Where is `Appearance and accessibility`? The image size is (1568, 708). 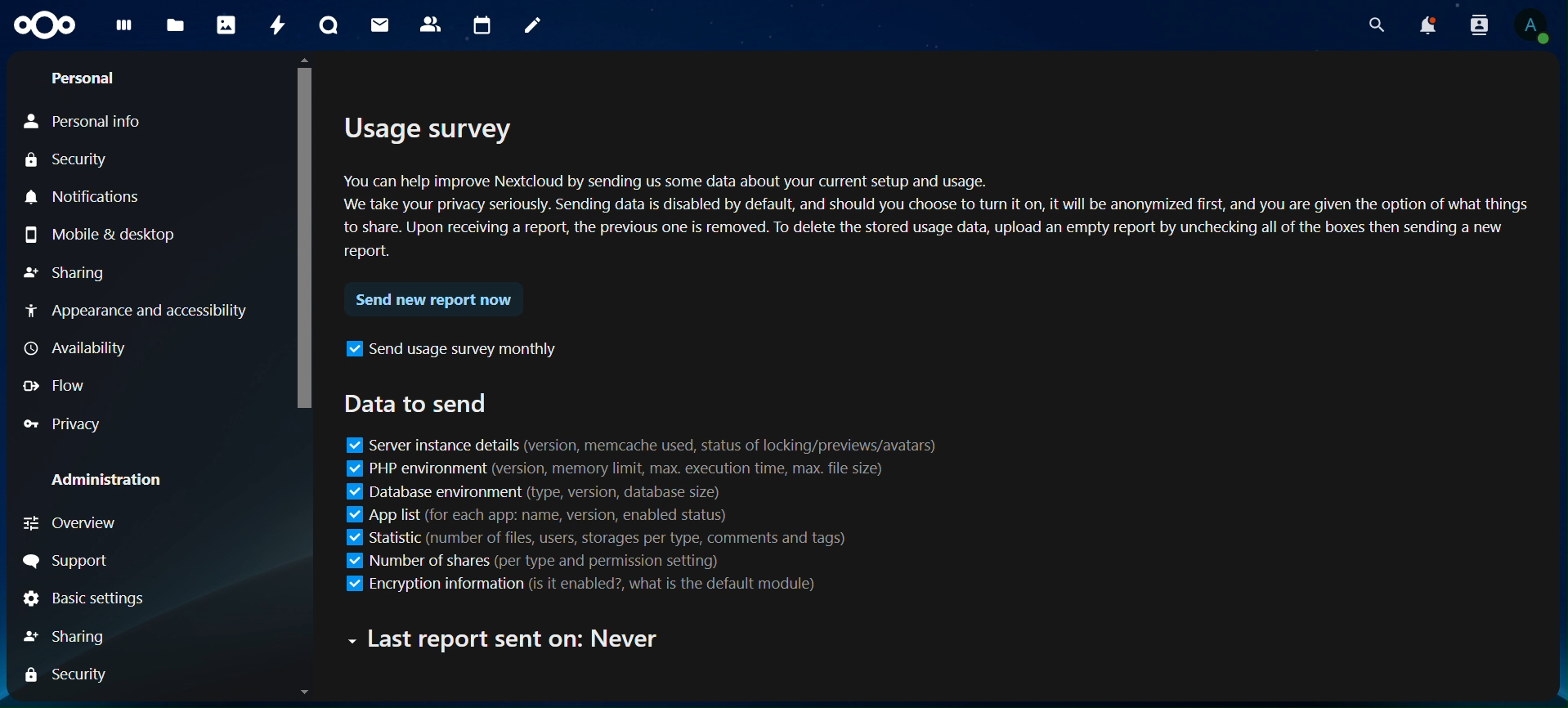
Appearance and accessibility is located at coordinates (135, 311).